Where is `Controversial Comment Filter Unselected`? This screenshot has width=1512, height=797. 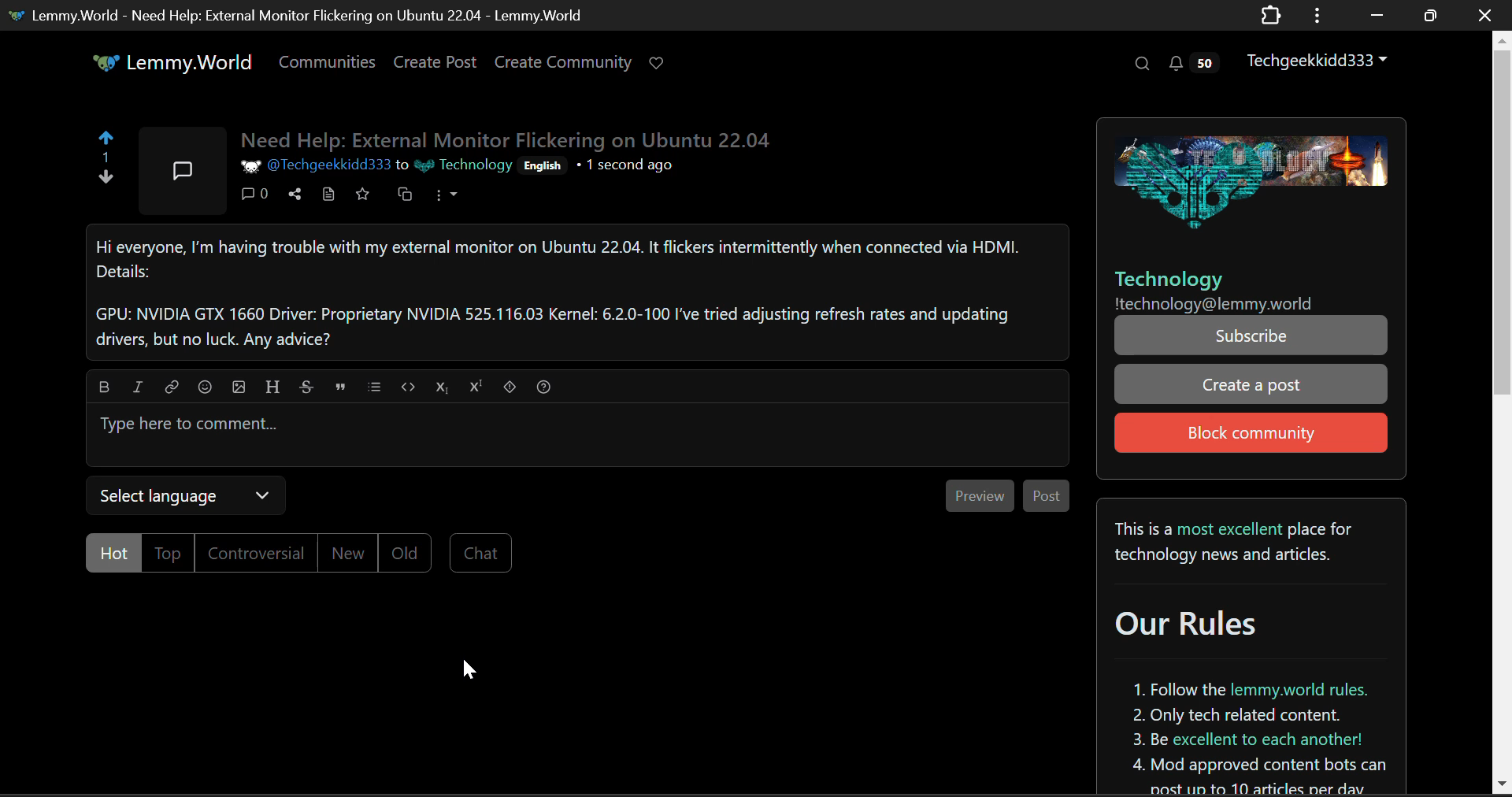
Controversial Comment Filter Unselected is located at coordinates (255, 554).